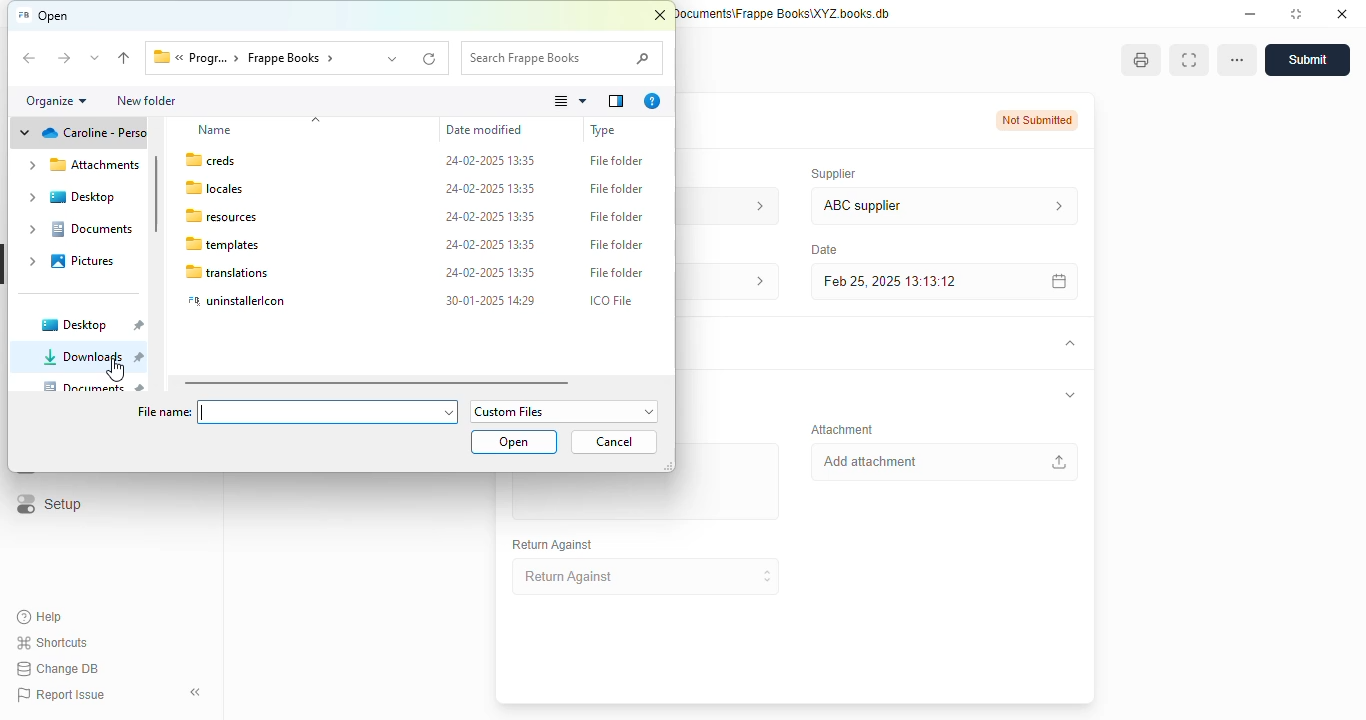 This screenshot has width=1366, height=720. I want to click on back, so click(30, 59).